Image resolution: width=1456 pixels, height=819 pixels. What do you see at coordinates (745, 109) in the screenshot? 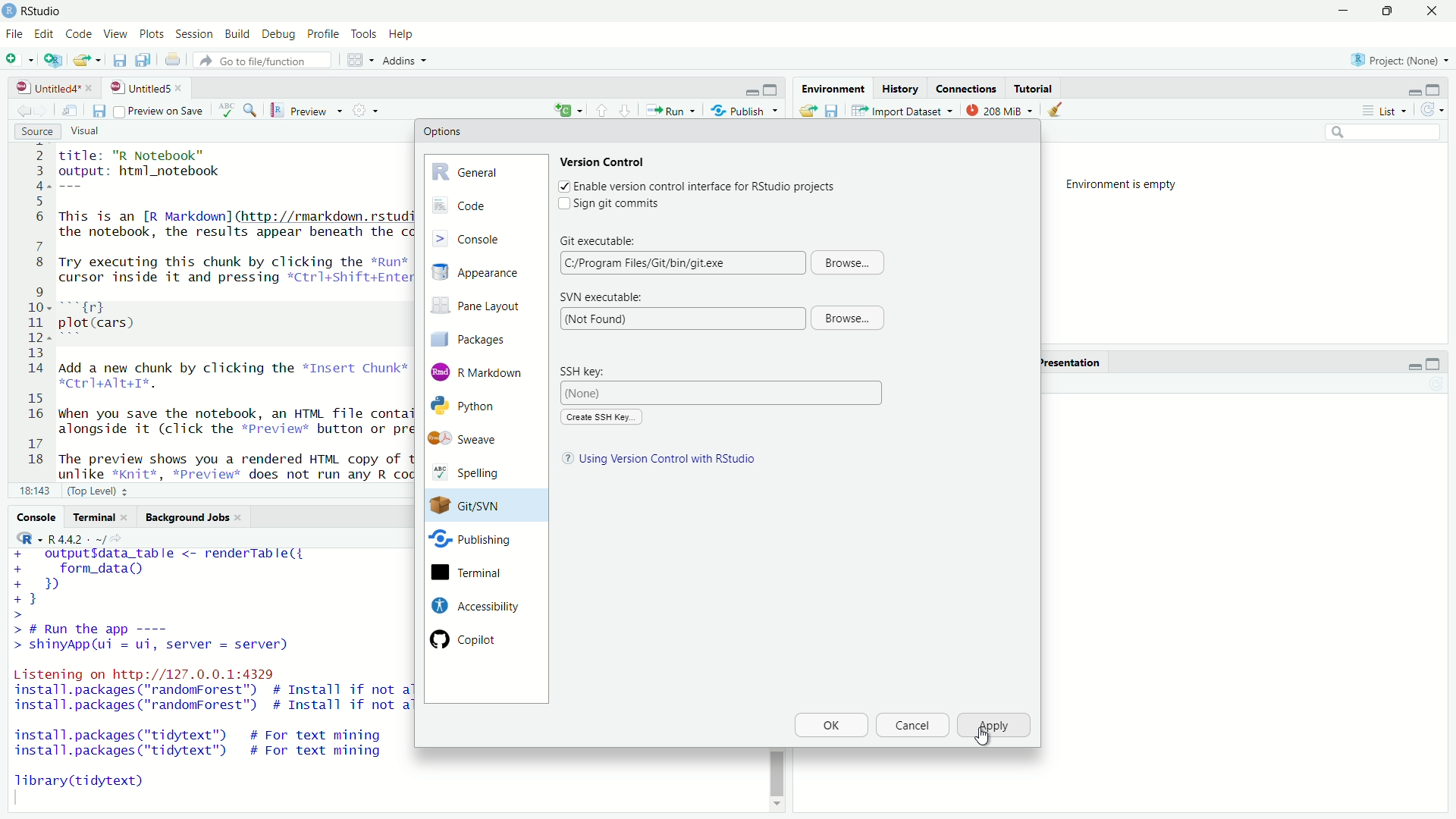
I see `Publish` at bounding box center [745, 109].